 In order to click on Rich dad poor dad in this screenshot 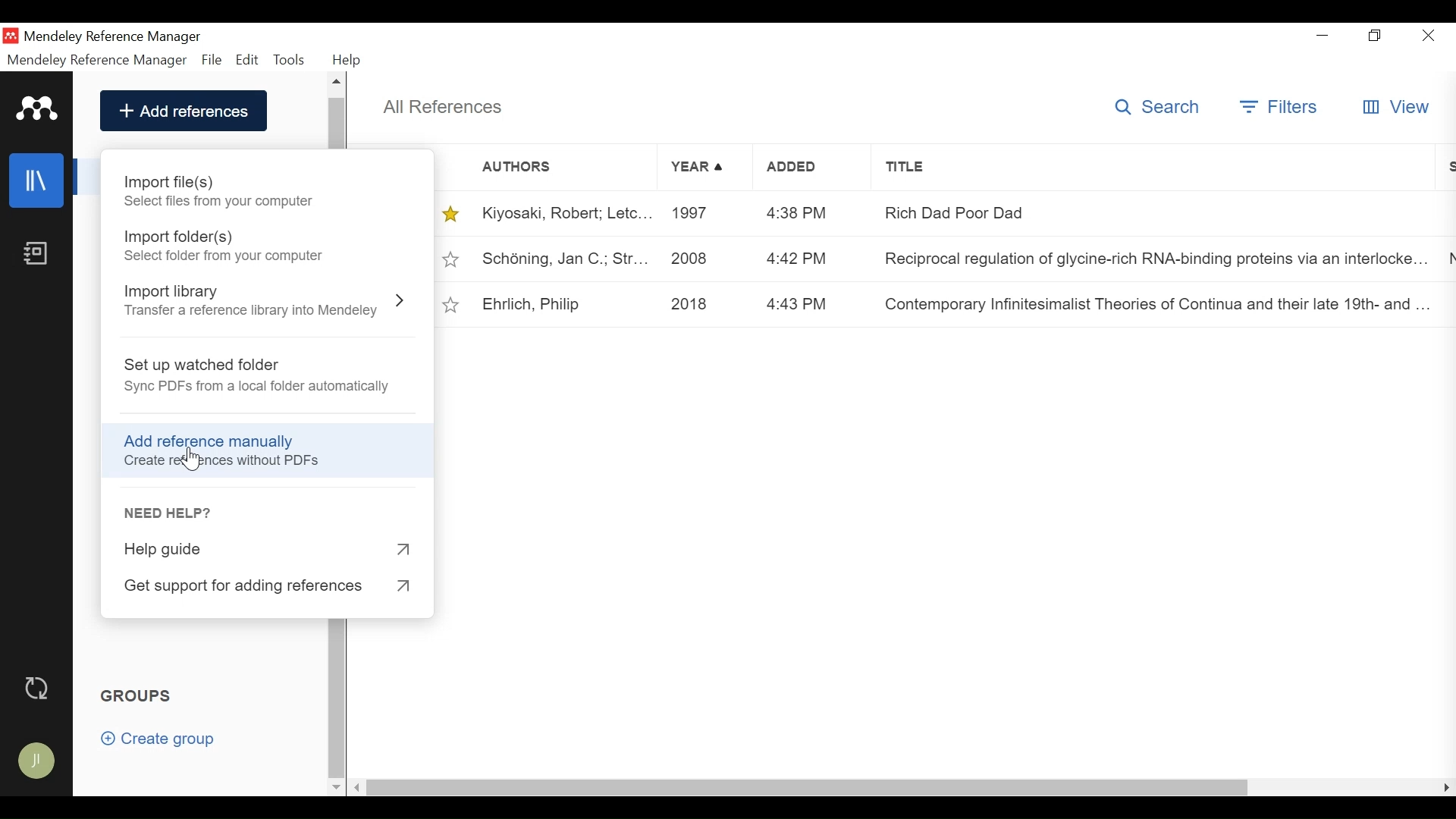, I will do `click(1150, 212)`.